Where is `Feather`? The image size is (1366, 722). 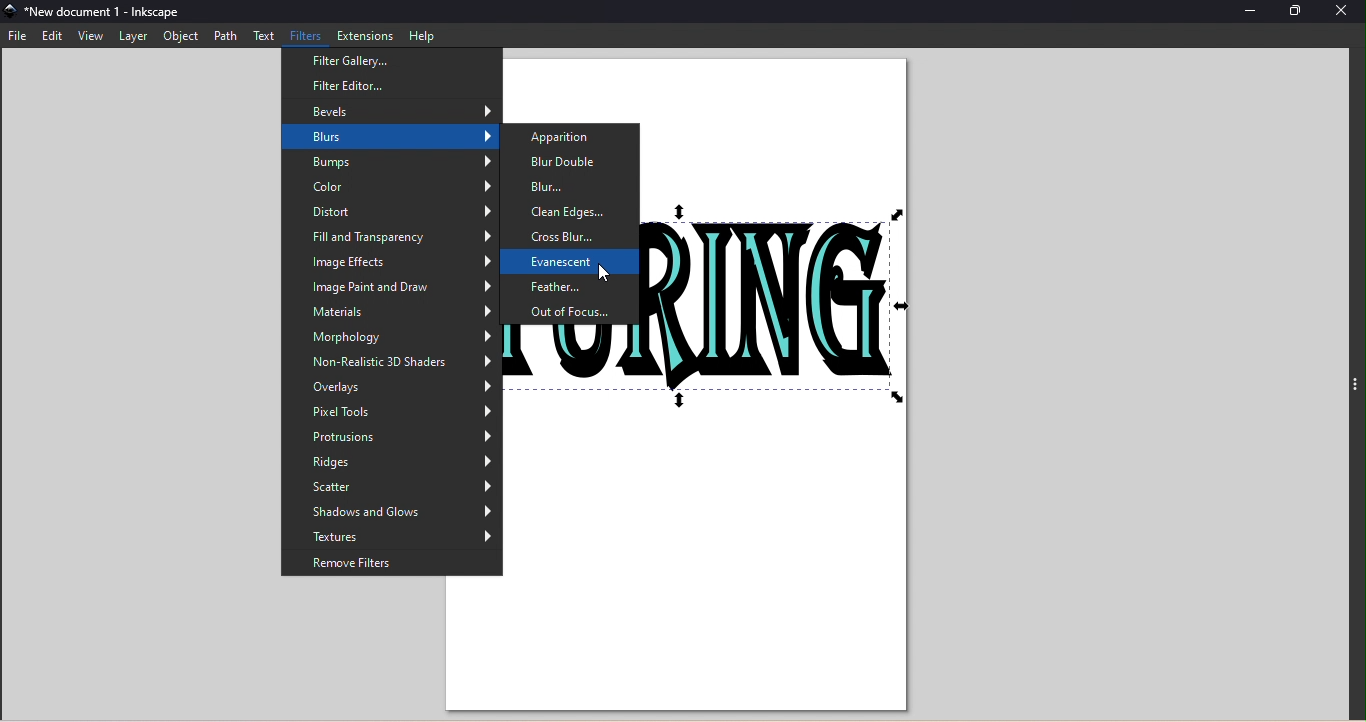 Feather is located at coordinates (574, 286).